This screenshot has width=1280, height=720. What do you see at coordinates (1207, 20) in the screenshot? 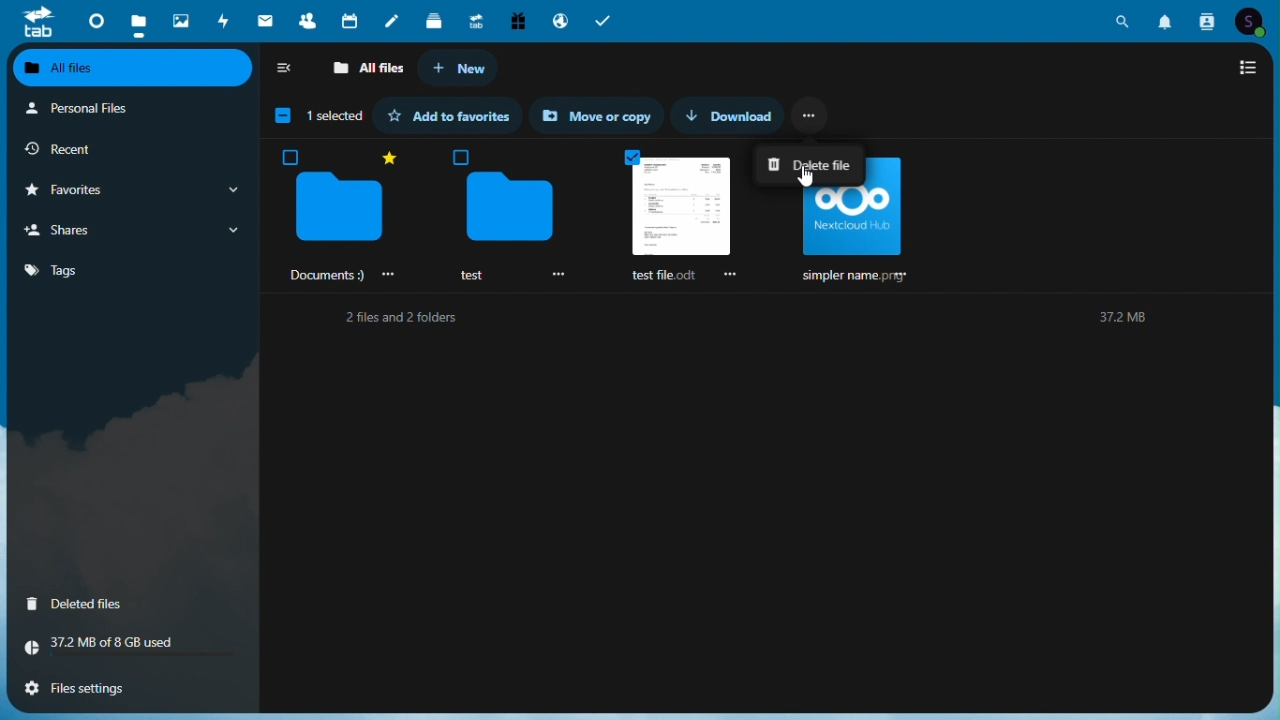
I see `contacts` at bounding box center [1207, 20].